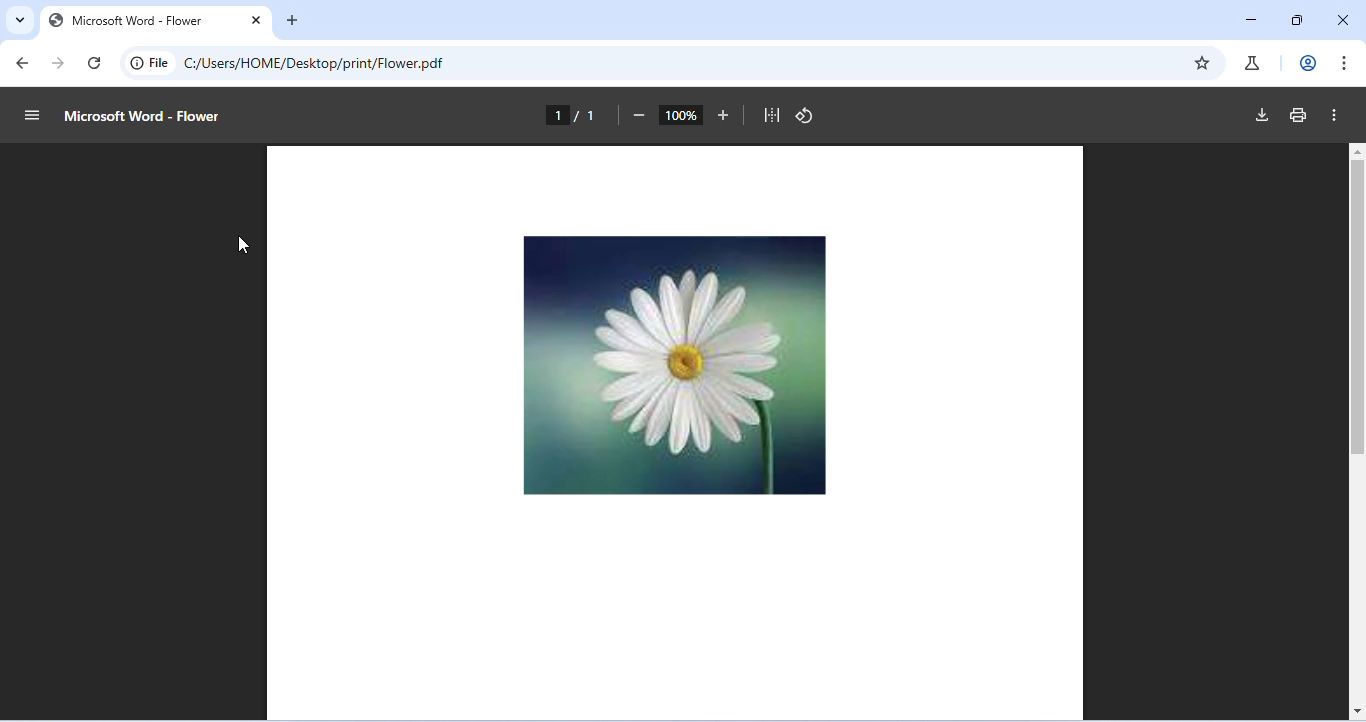 Image resolution: width=1366 pixels, height=722 pixels. Describe the element at coordinates (569, 116) in the screenshot. I see `1/1` at that location.